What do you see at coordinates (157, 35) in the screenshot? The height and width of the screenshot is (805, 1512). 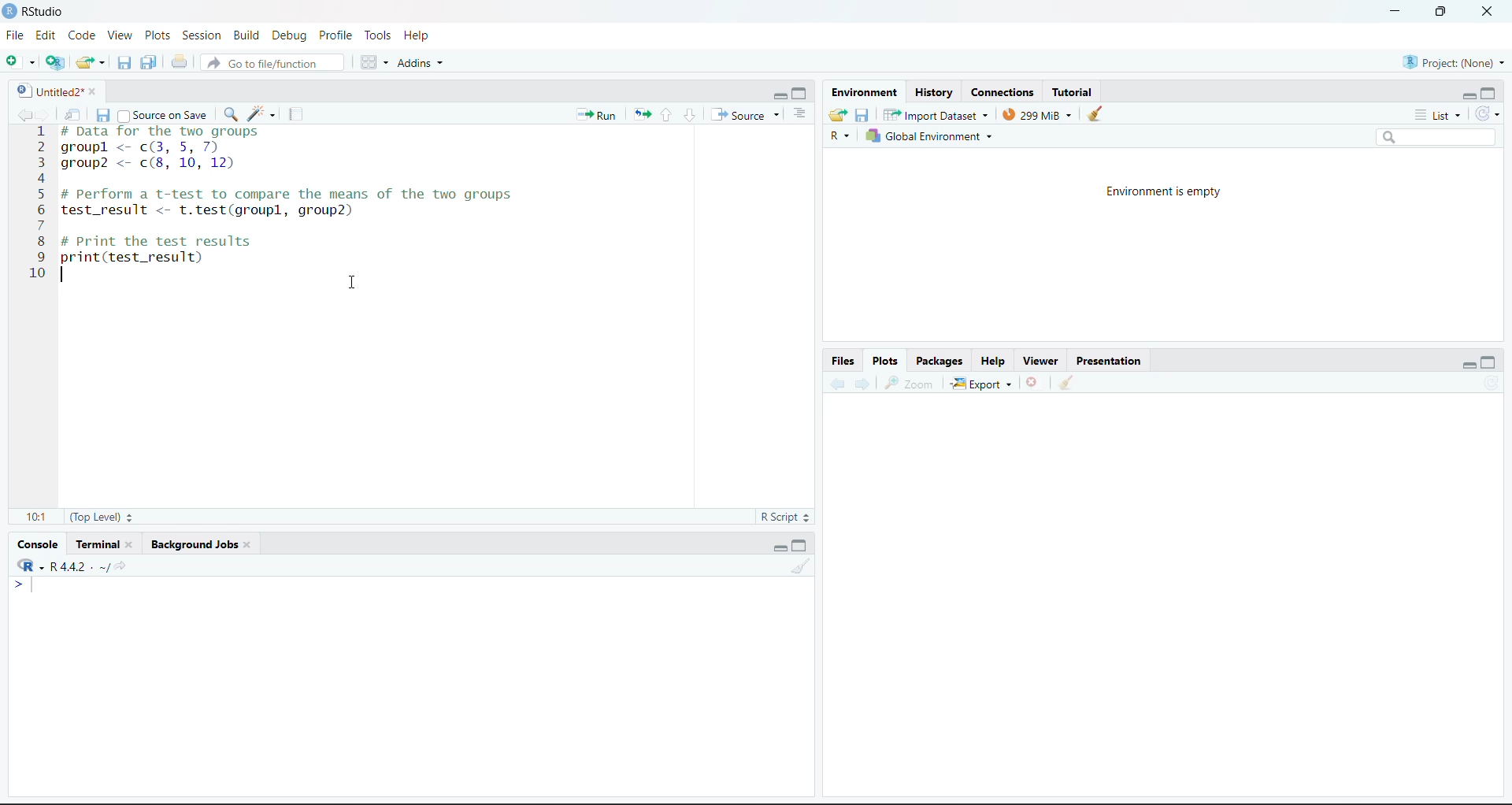 I see `Plots` at bounding box center [157, 35].